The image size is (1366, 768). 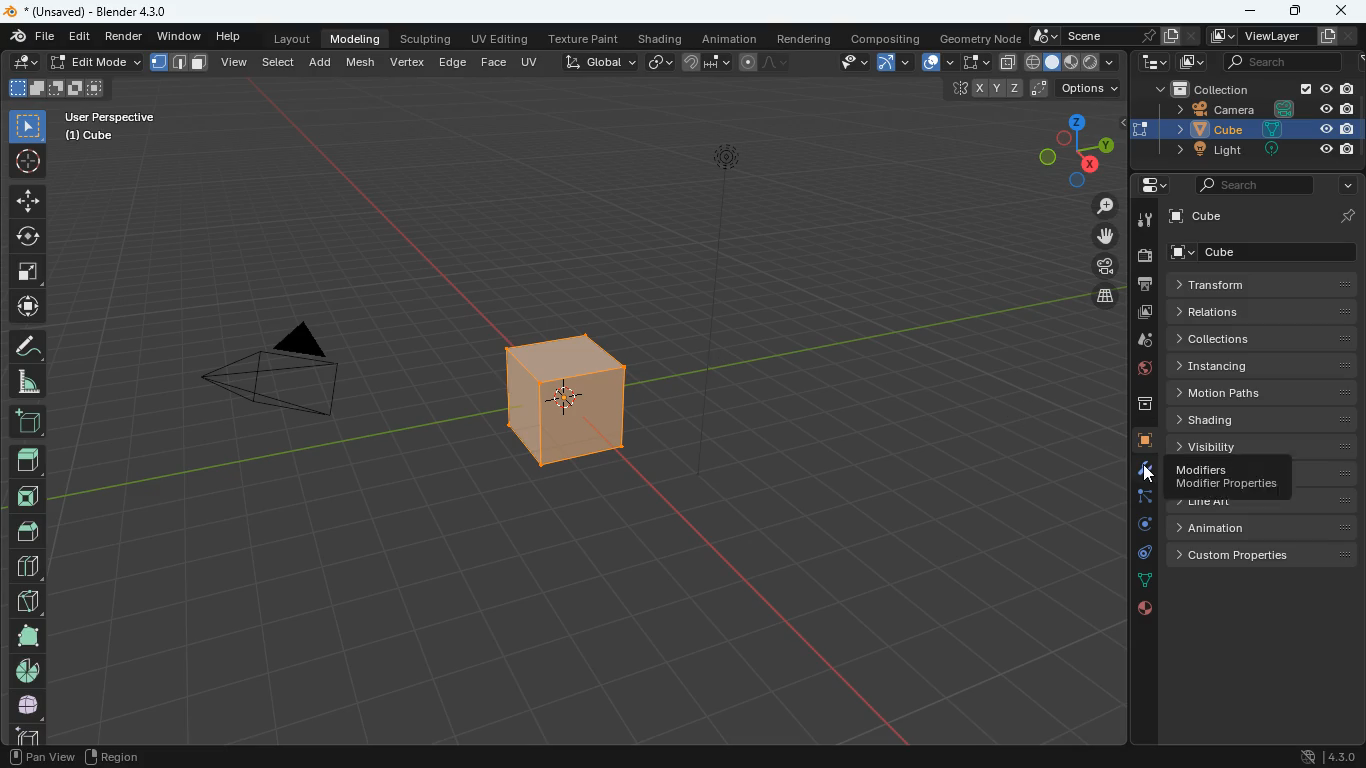 What do you see at coordinates (660, 39) in the screenshot?
I see `shading` at bounding box center [660, 39].